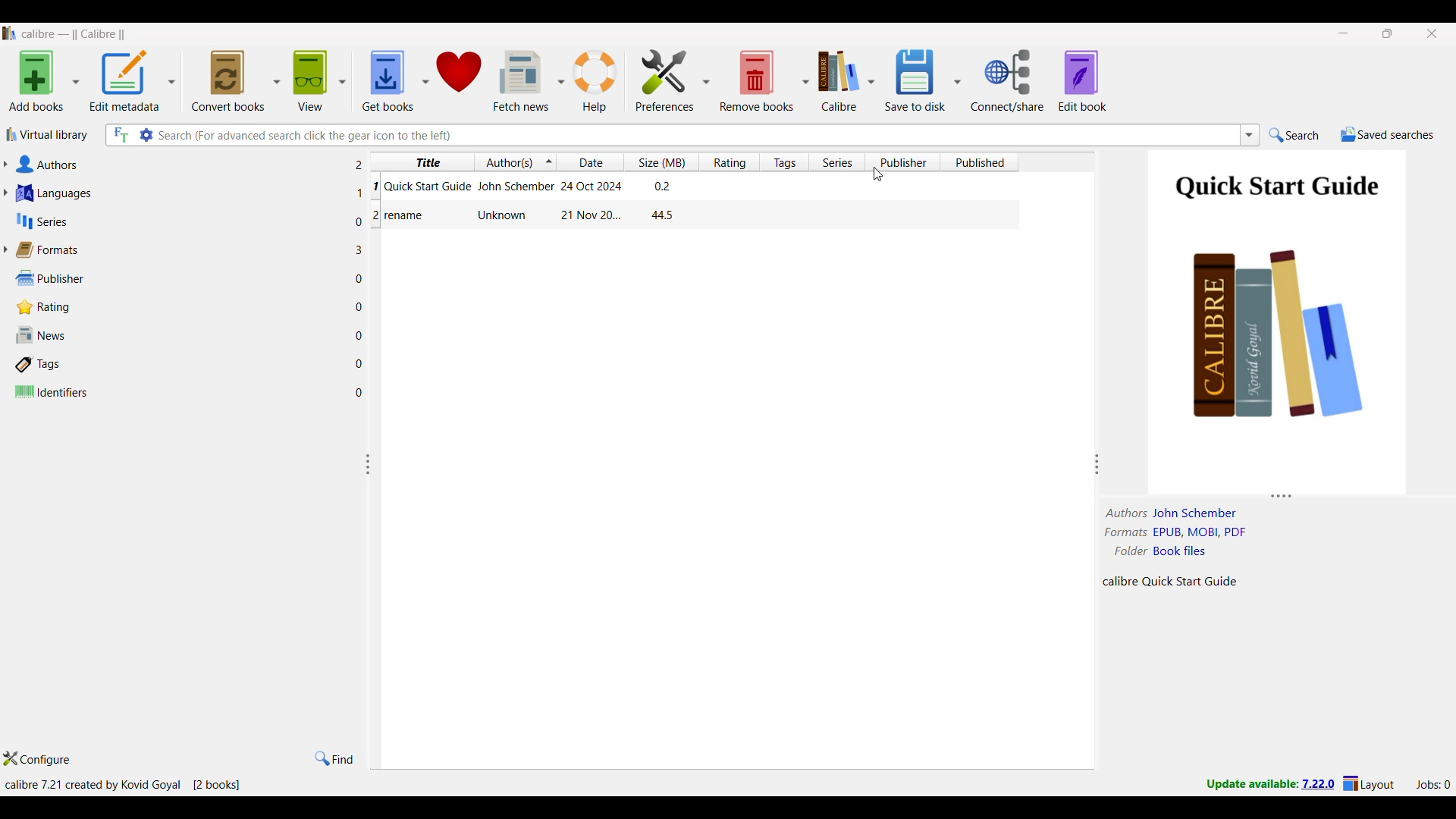  Describe the element at coordinates (122, 785) in the screenshot. I see `Current details of software` at that location.